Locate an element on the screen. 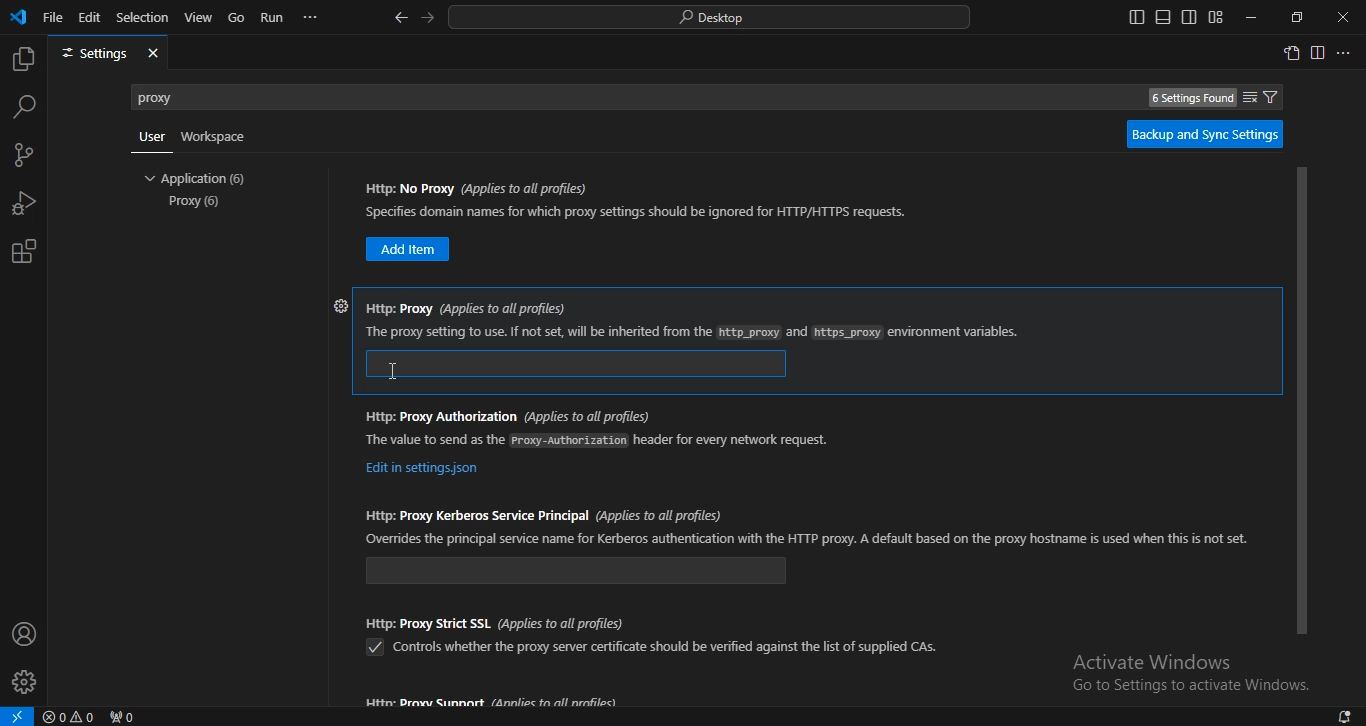  go is located at coordinates (237, 17).